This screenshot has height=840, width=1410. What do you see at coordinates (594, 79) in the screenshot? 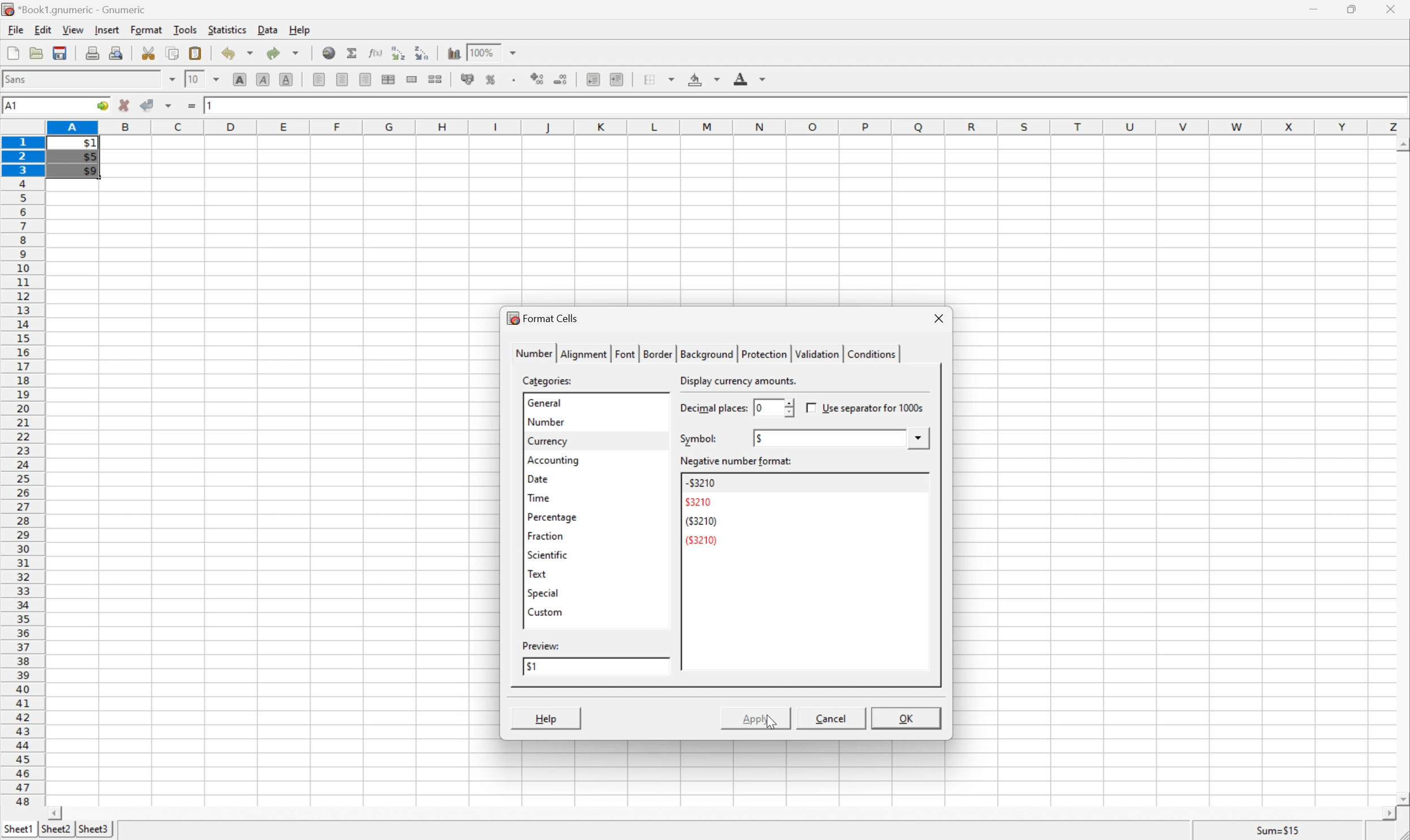
I see `decrease indent` at bounding box center [594, 79].